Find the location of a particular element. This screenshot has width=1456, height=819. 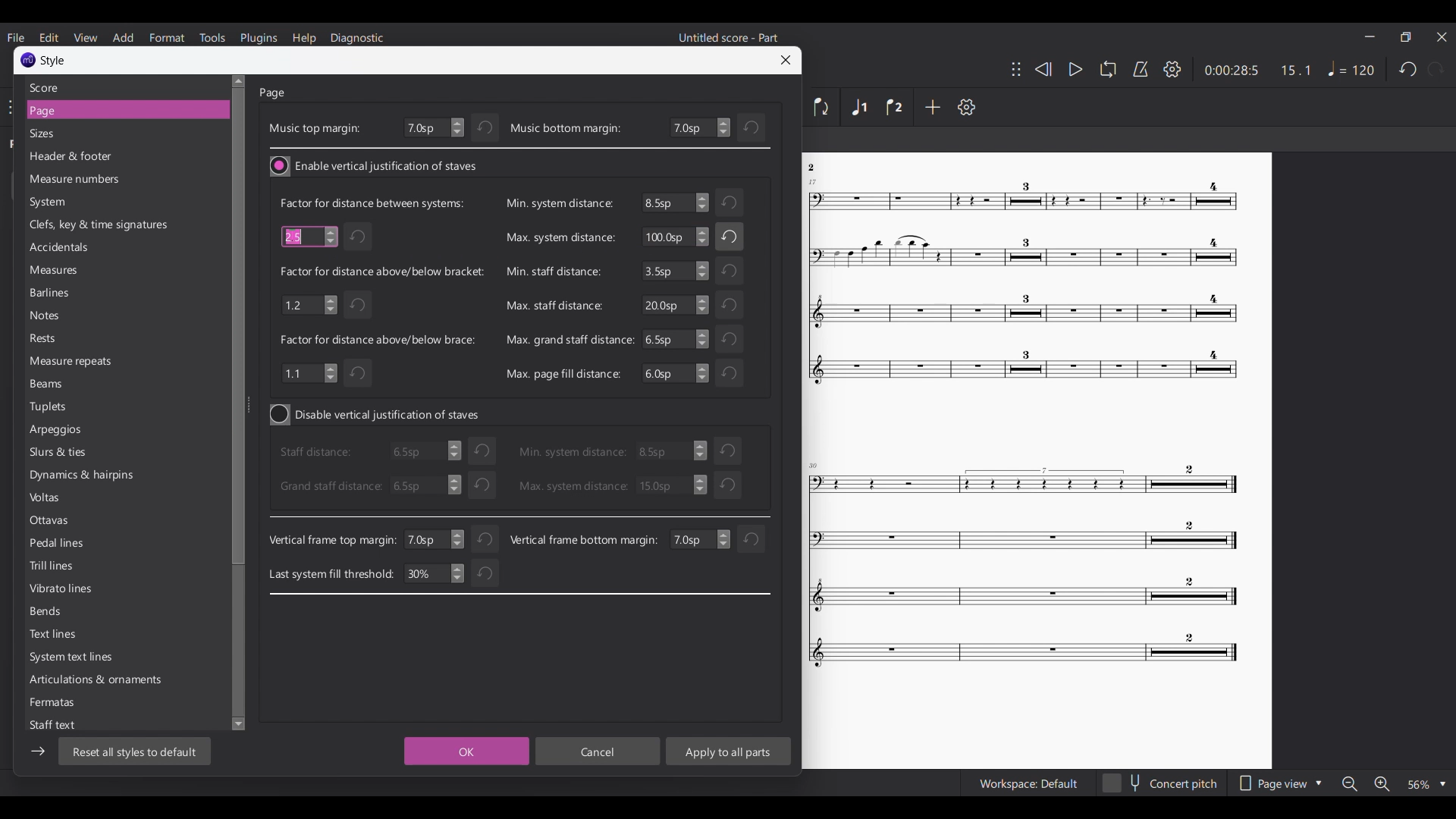

cursor is located at coordinates (300, 237).